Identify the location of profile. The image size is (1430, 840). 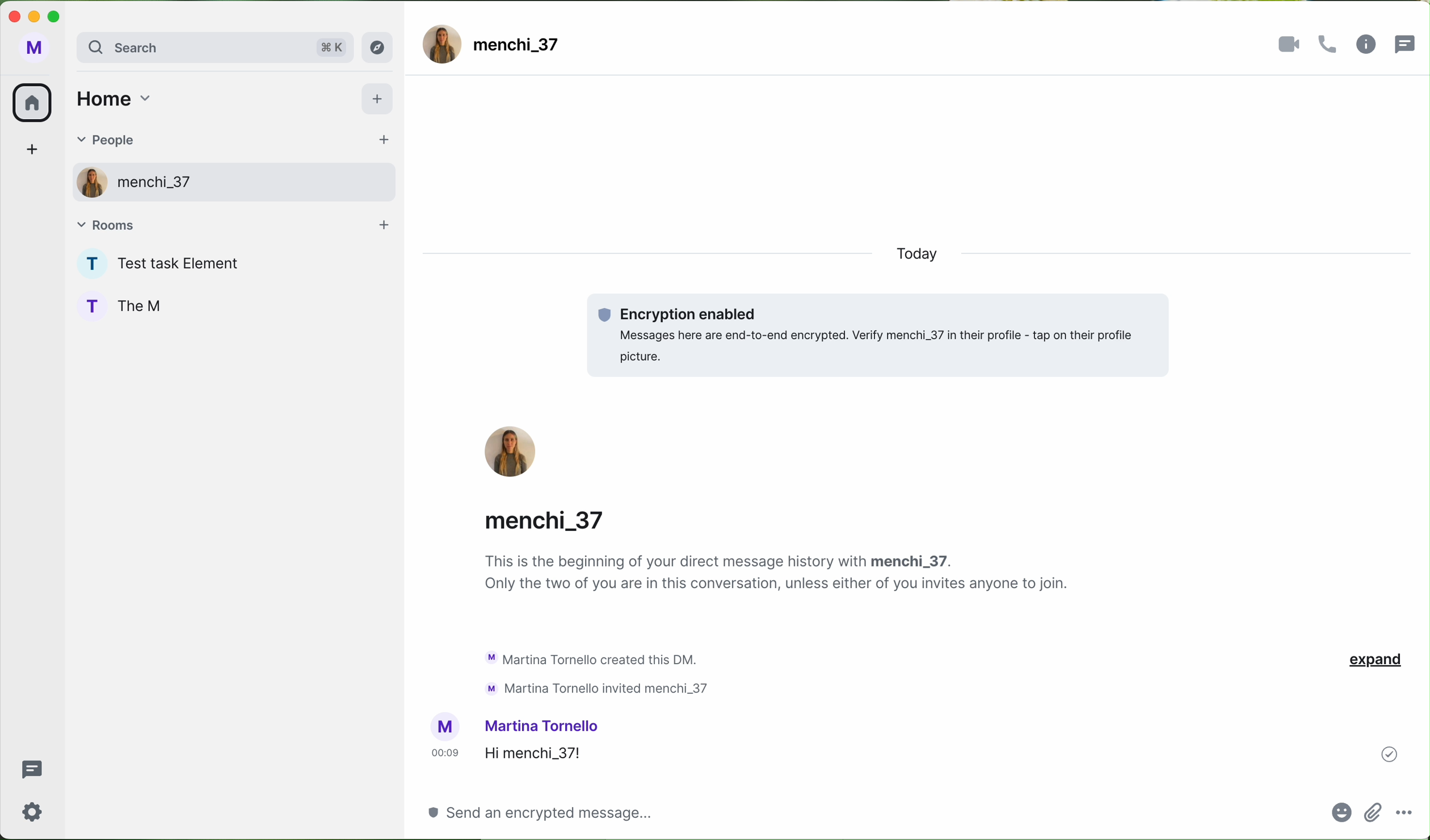
(88, 264).